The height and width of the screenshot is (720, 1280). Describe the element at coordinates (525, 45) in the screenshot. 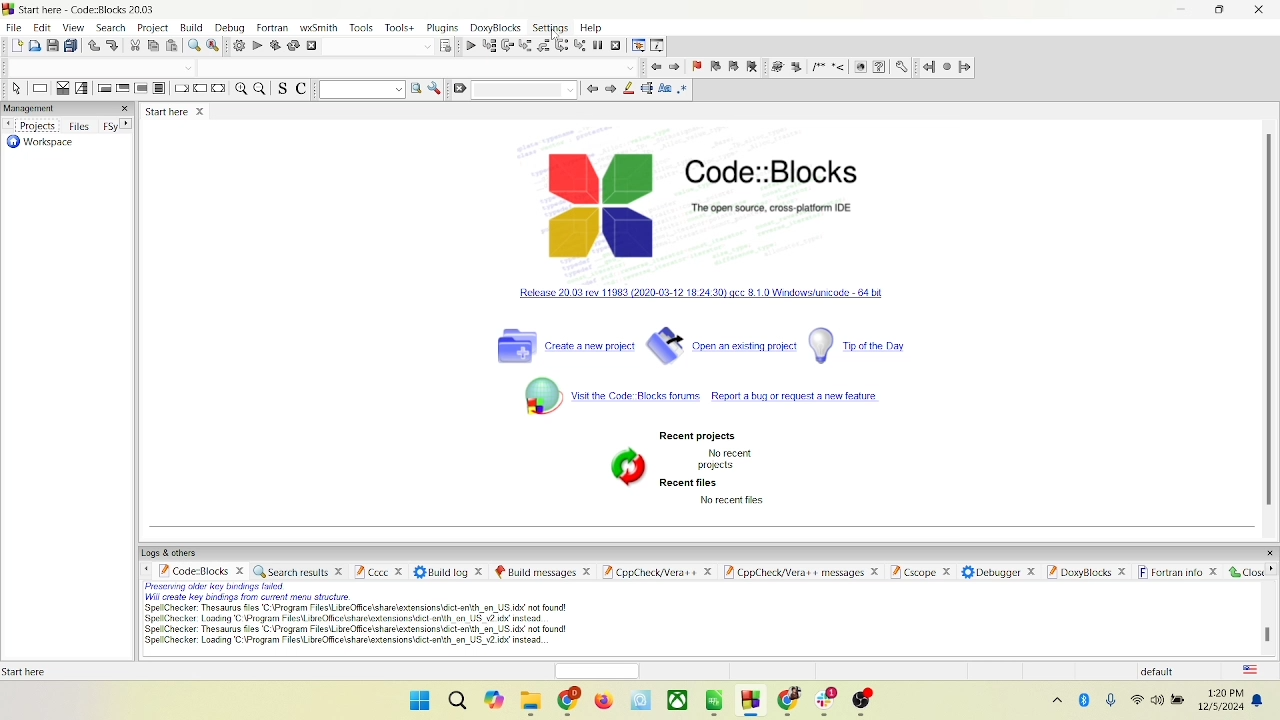

I see `step into` at that location.